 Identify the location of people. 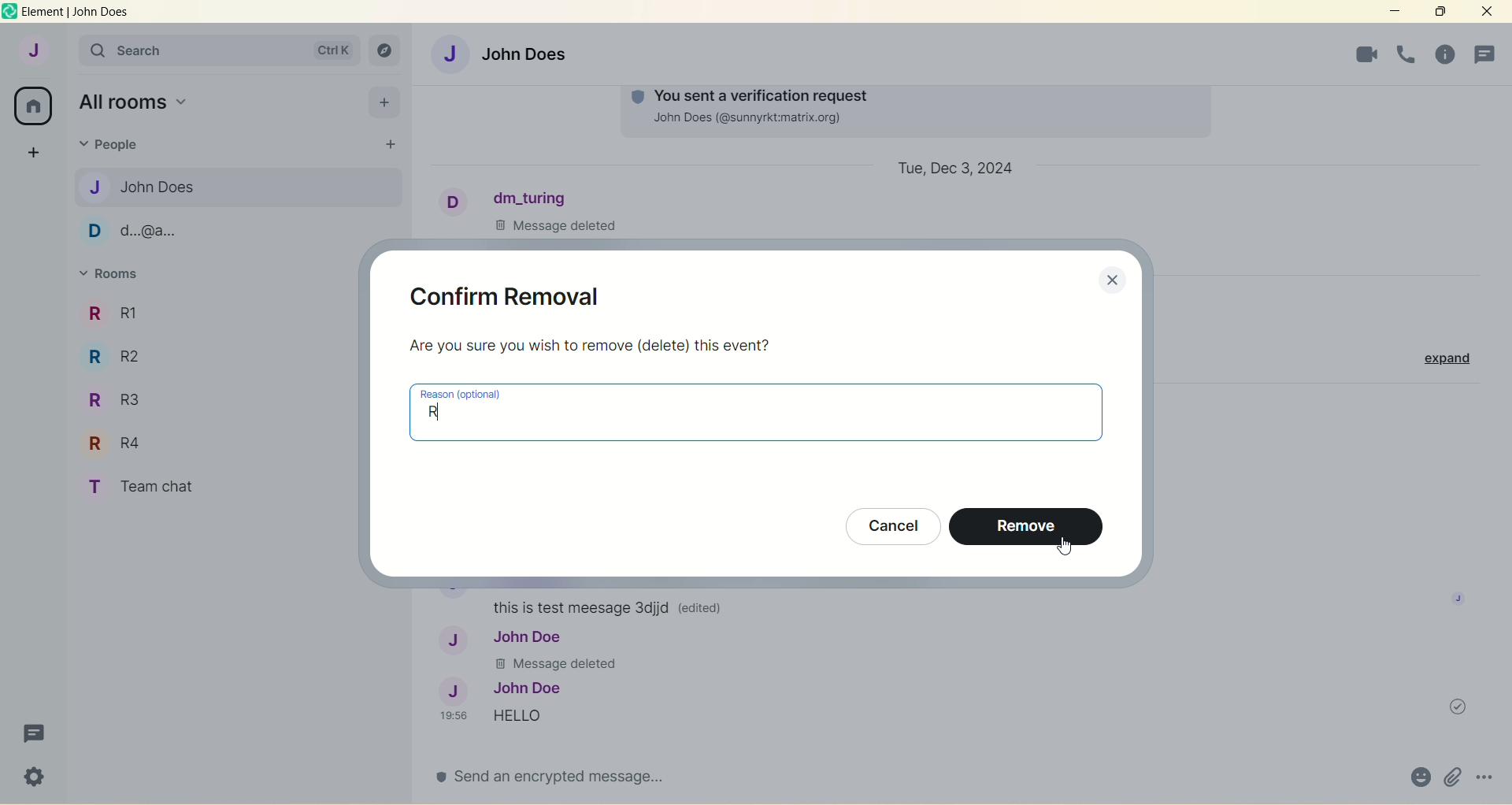
(116, 147).